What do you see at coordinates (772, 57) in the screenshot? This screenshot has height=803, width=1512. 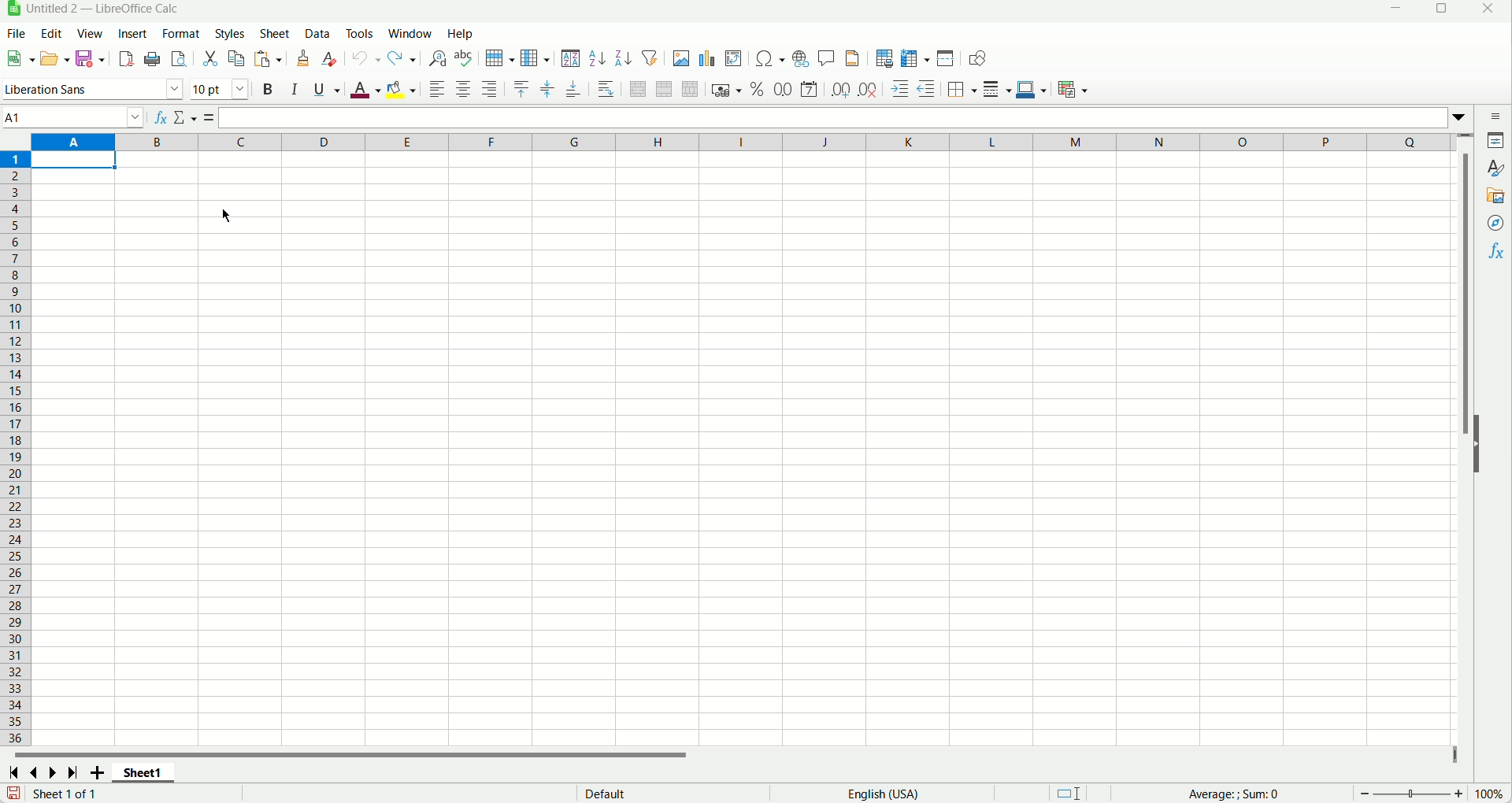 I see `Insert symbol` at bounding box center [772, 57].